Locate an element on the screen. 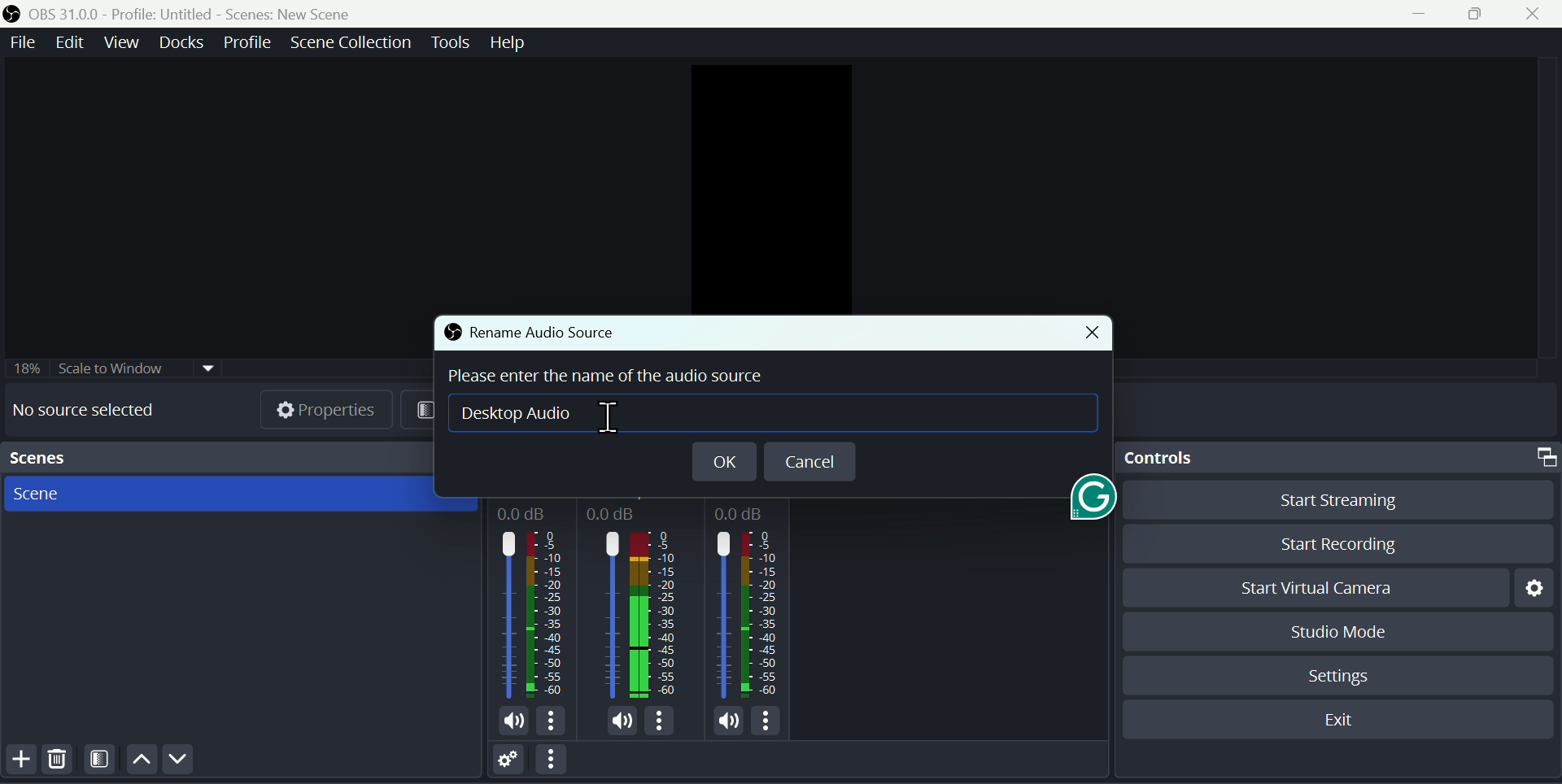 The width and height of the screenshot is (1562, 784). Start streaming is located at coordinates (1327, 504).